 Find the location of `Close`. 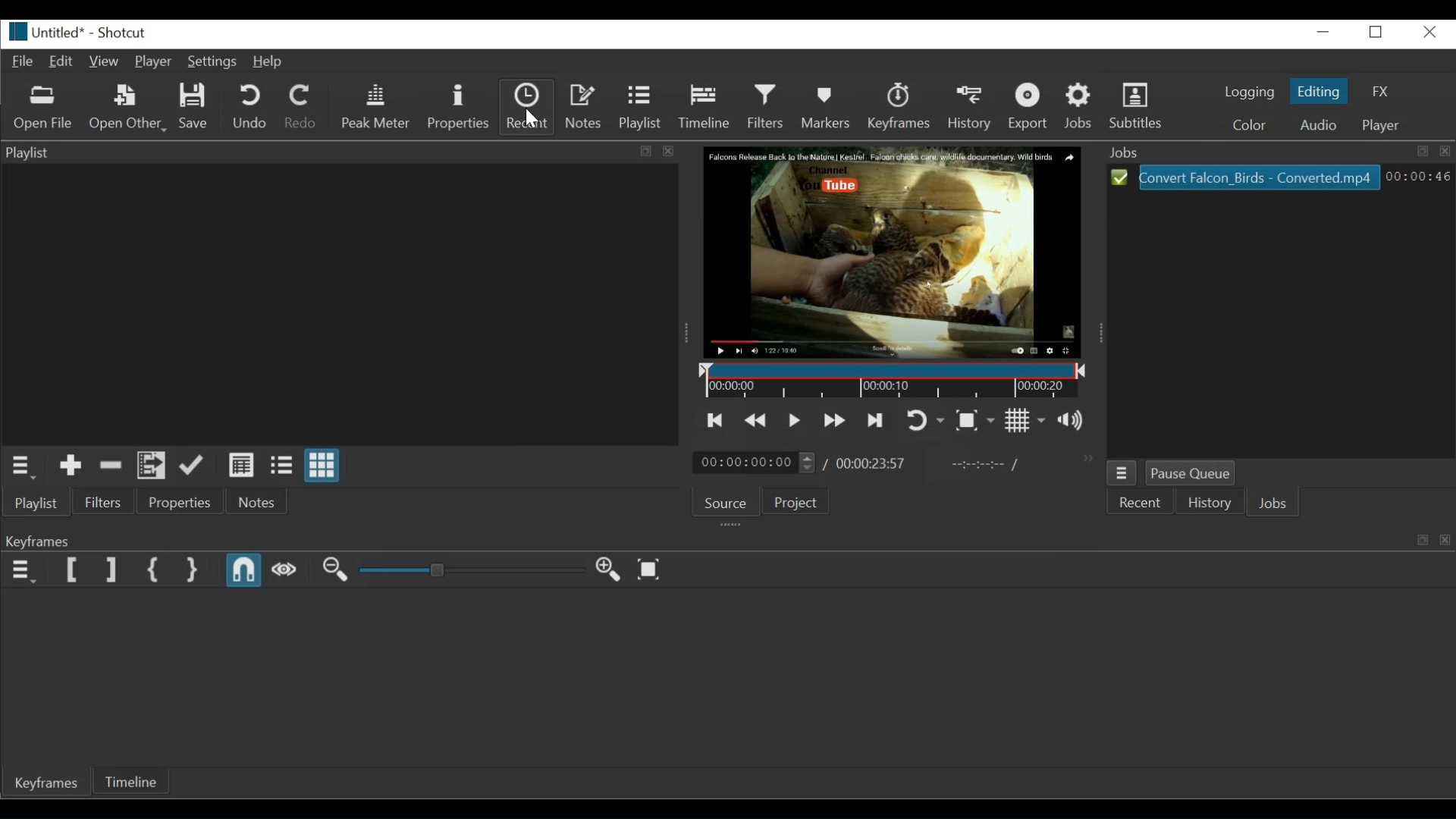

Close is located at coordinates (1431, 29).